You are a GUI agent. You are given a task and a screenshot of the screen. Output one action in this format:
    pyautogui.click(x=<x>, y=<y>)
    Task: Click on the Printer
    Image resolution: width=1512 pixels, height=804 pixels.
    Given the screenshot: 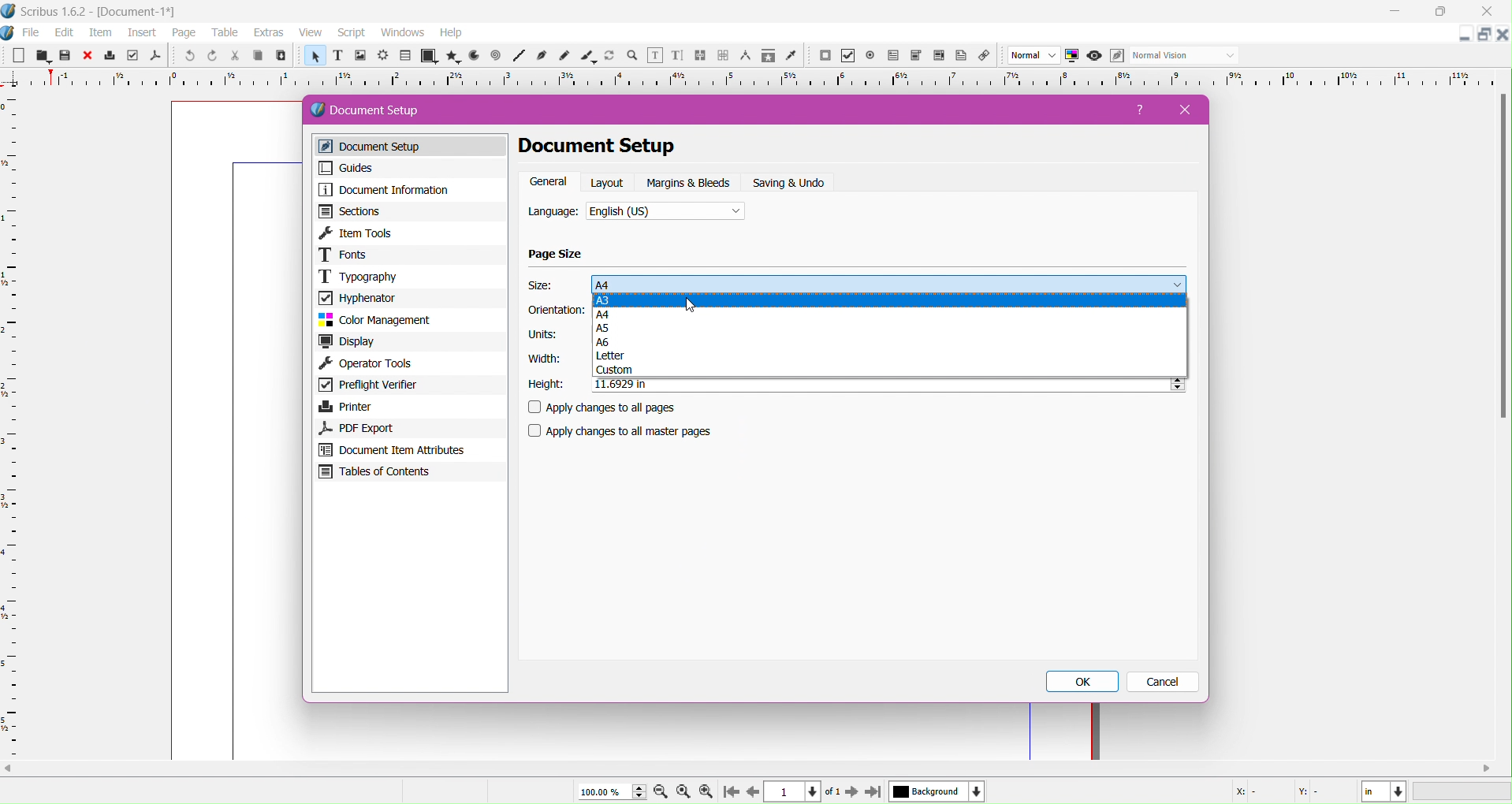 What is the action you would take?
    pyautogui.click(x=409, y=407)
    